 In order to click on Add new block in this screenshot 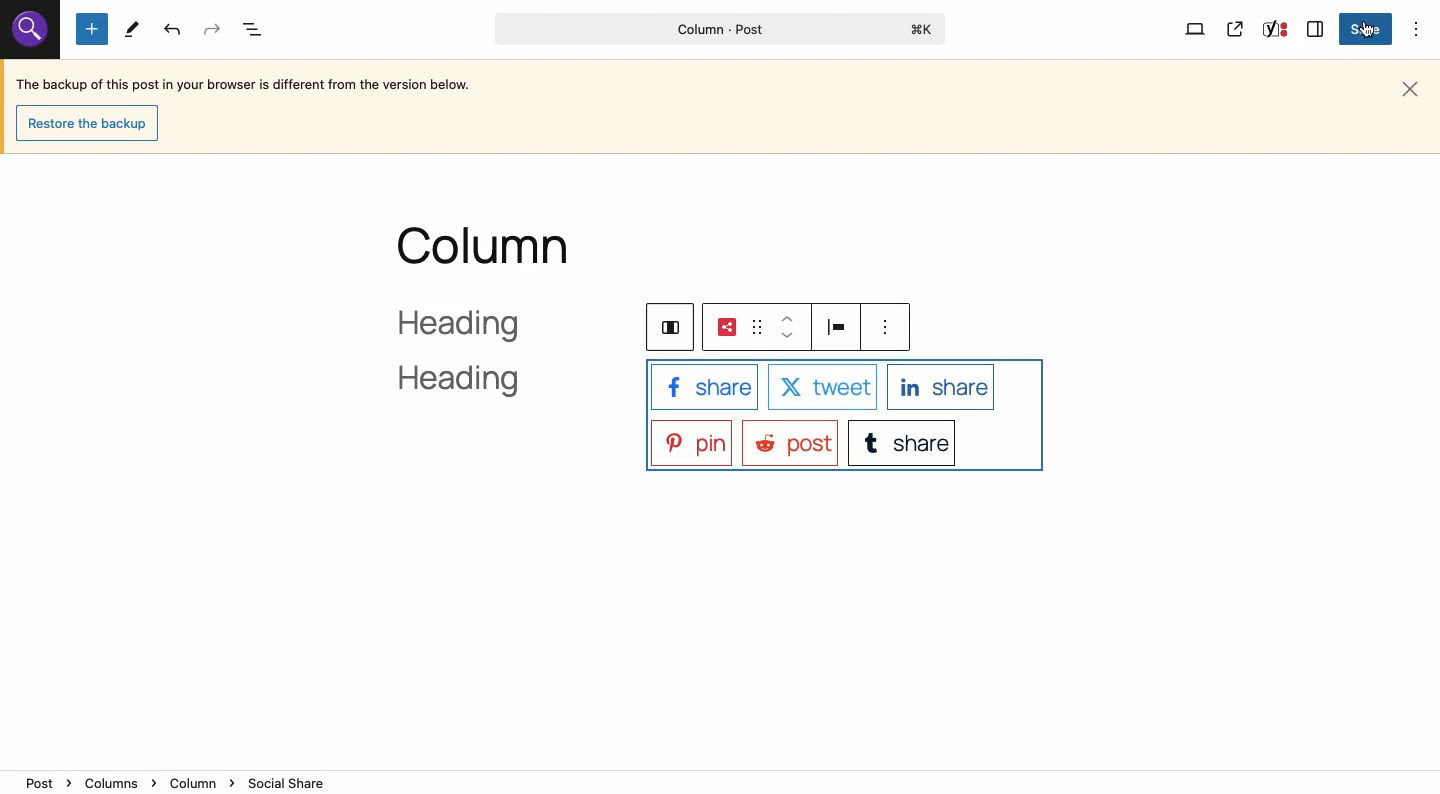, I will do `click(92, 30)`.